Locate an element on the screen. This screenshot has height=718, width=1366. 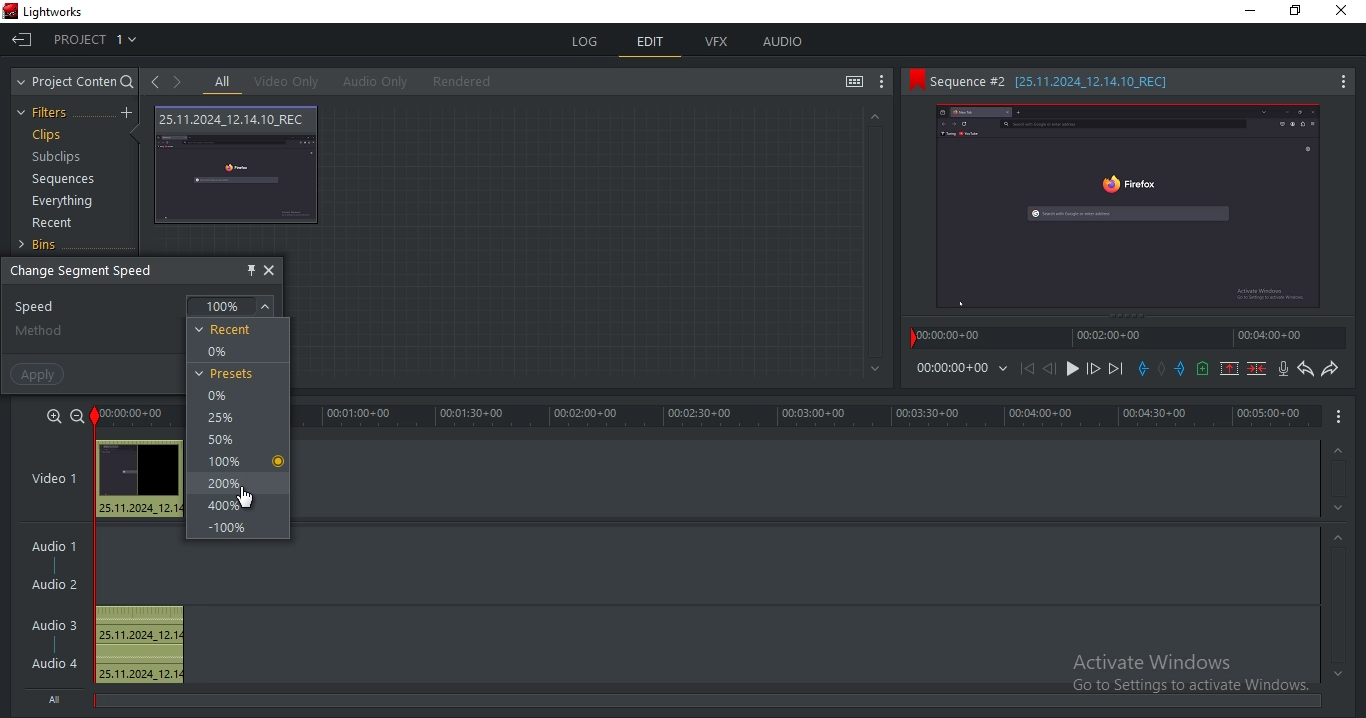
0% is located at coordinates (223, 351).